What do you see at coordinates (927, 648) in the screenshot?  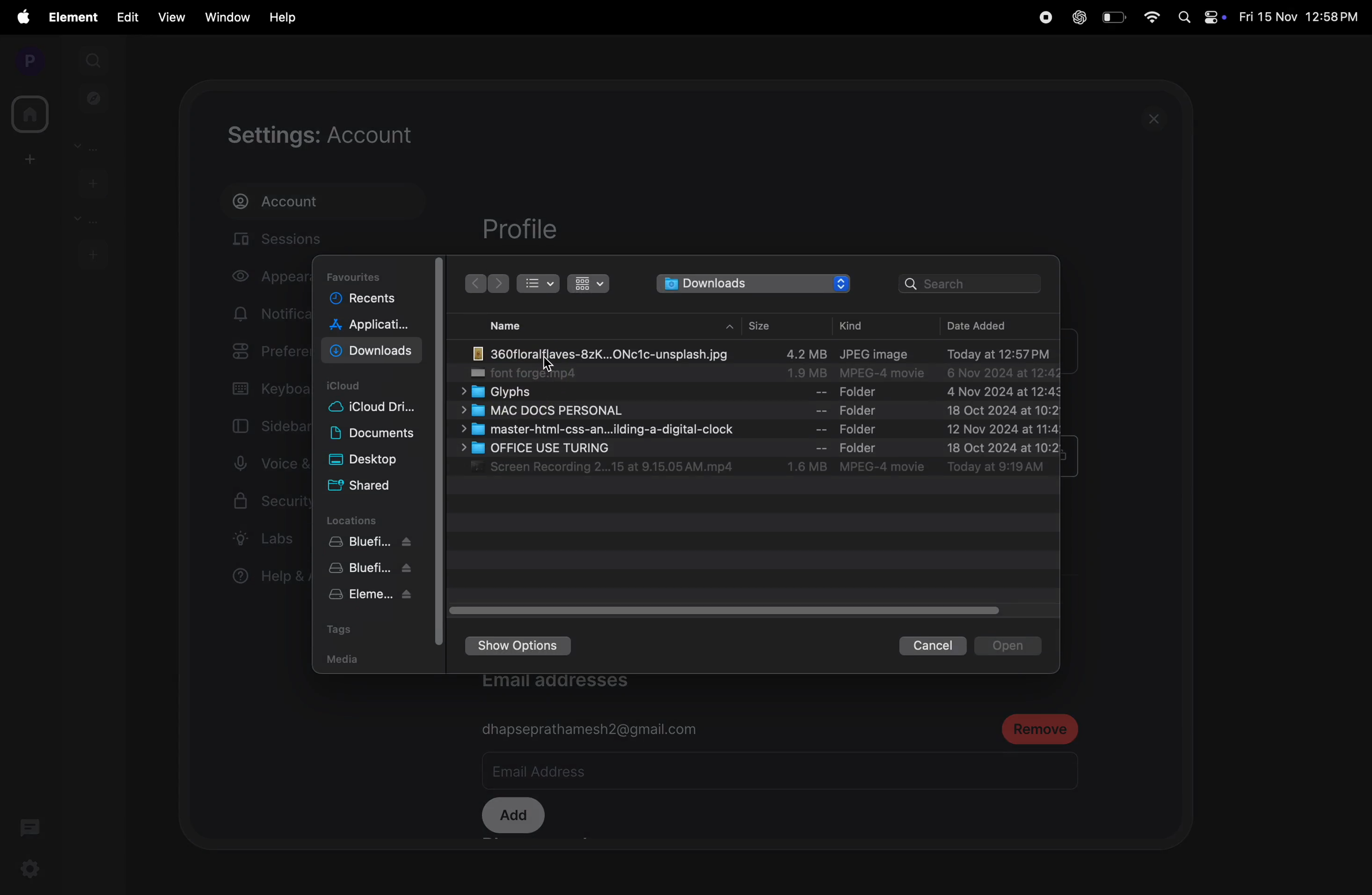 I see `cancel` at bounding box center [927, 648].